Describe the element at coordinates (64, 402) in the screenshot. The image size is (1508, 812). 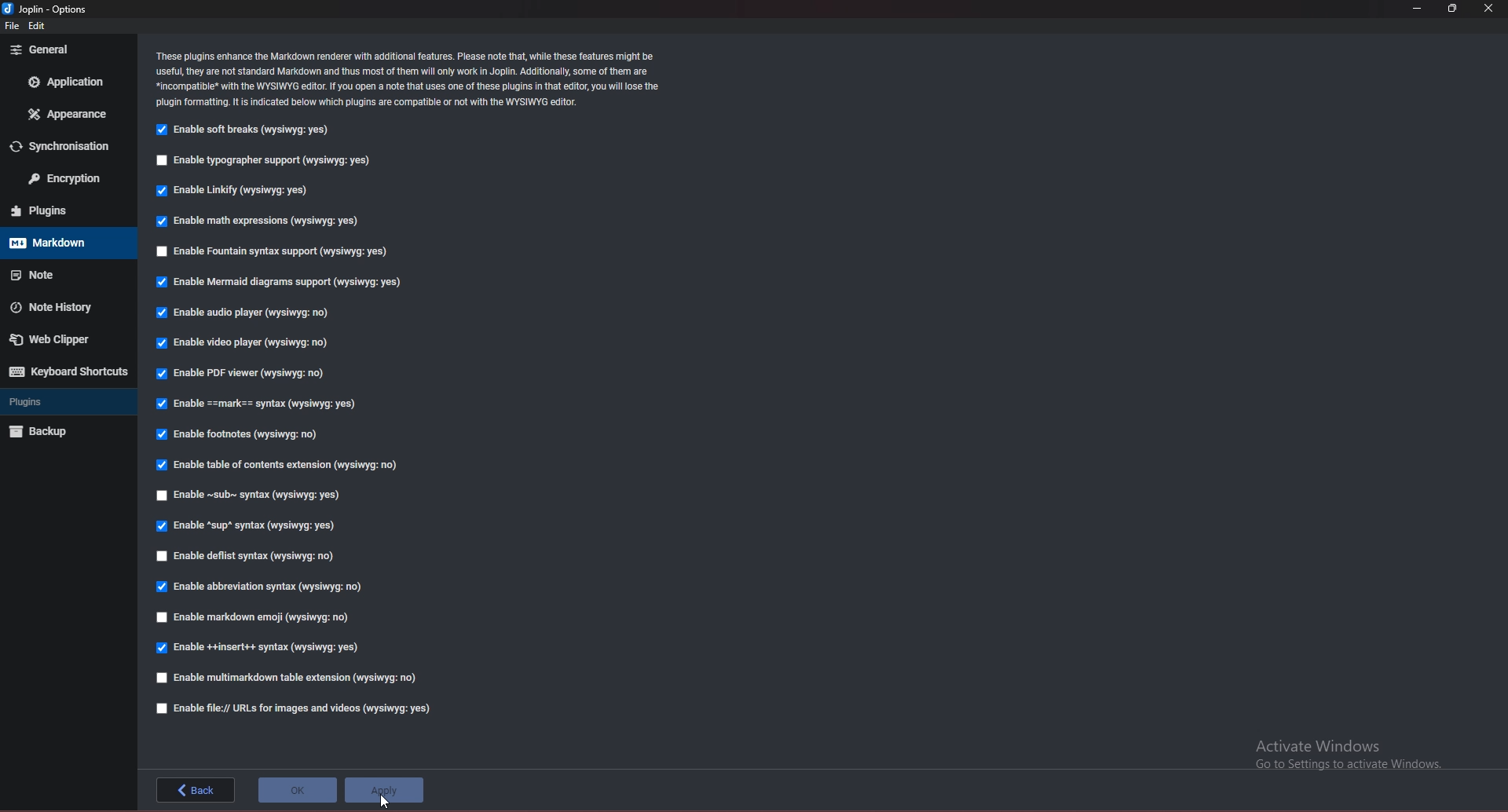
I see `plugins` at that location.